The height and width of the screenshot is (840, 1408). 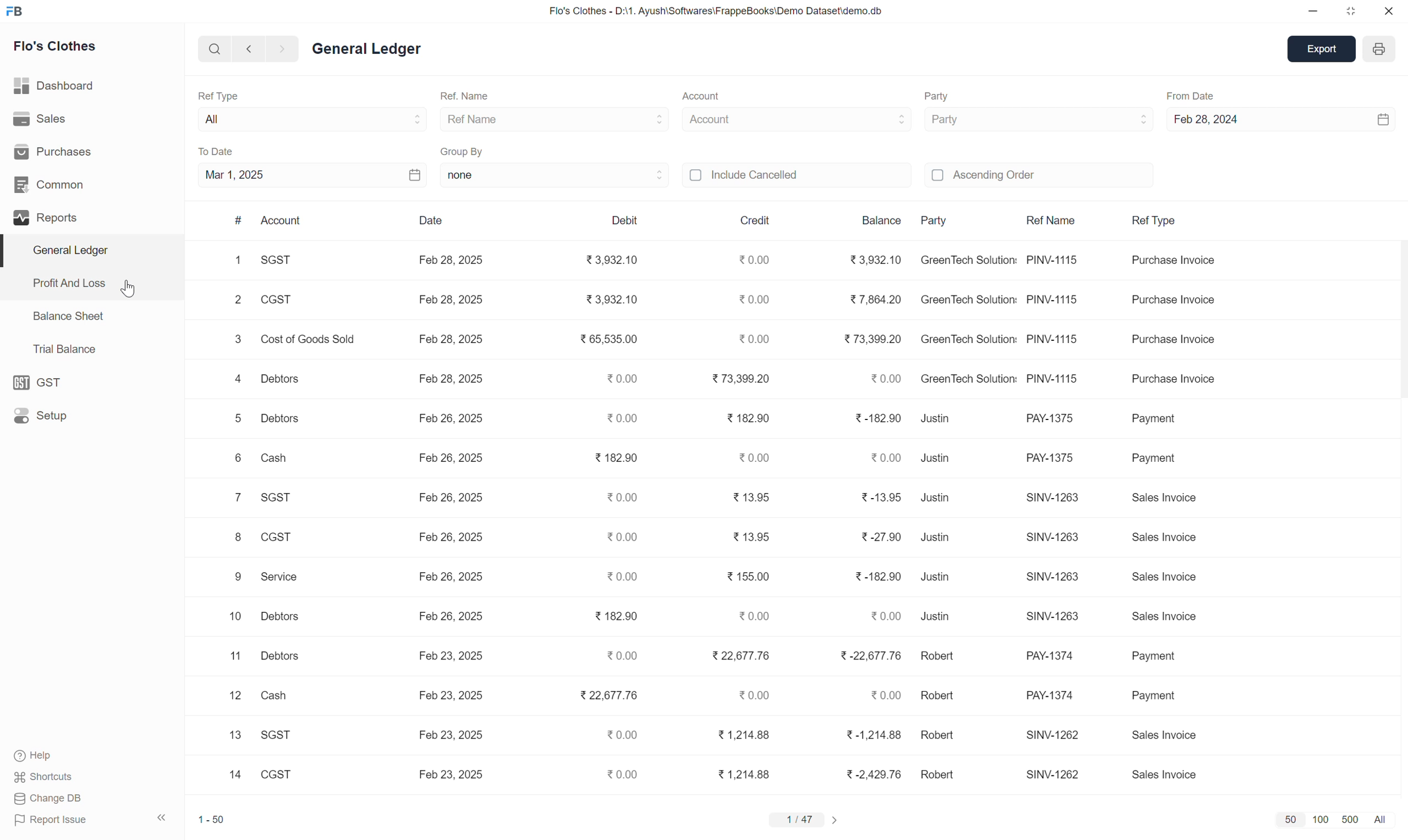 What do you see at coordinates (1157, 652) in the screenshot?
I see `Payment` at bounding box center [1157, 652].